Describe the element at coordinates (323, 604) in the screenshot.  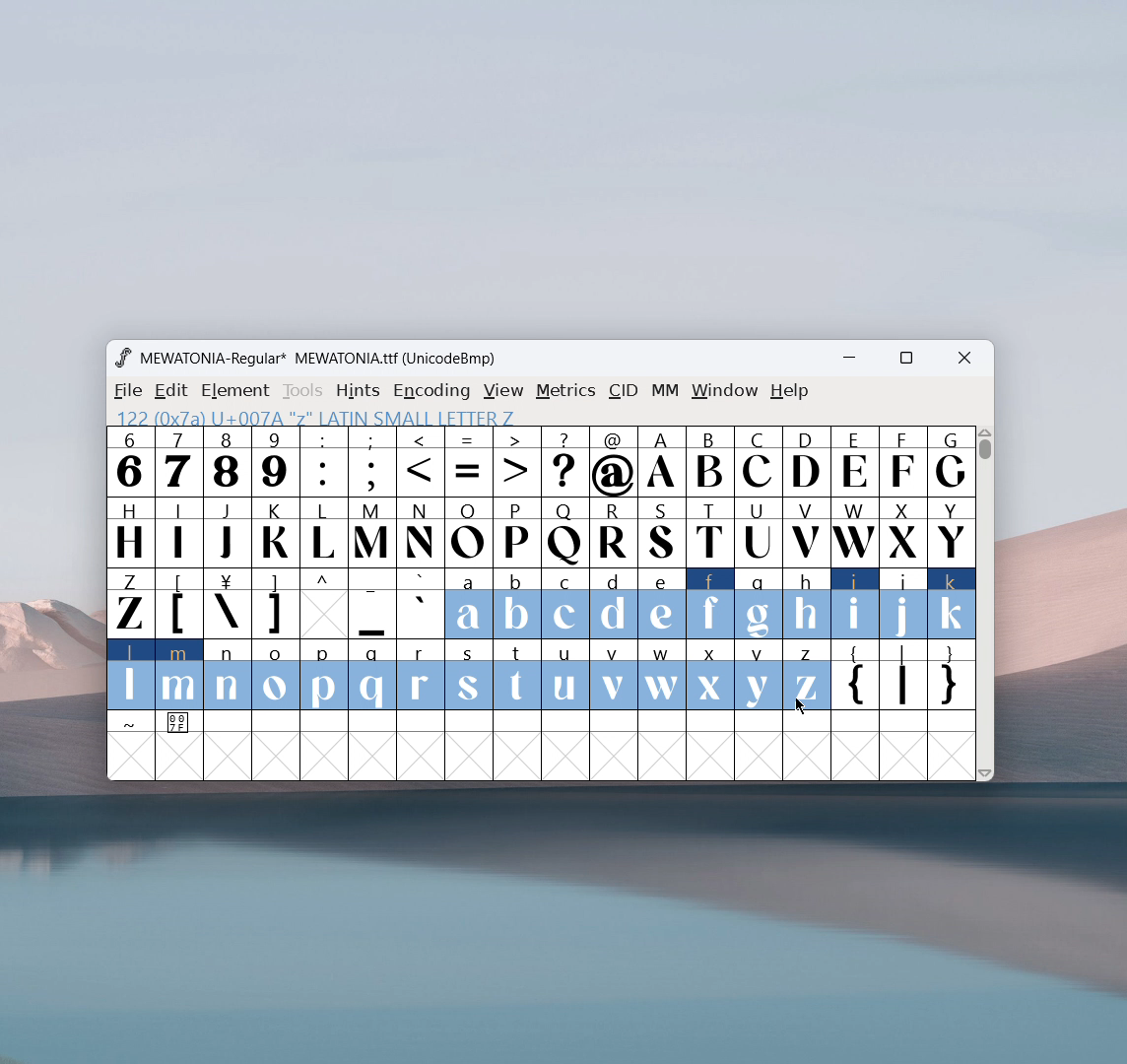
I see `^` at that location.